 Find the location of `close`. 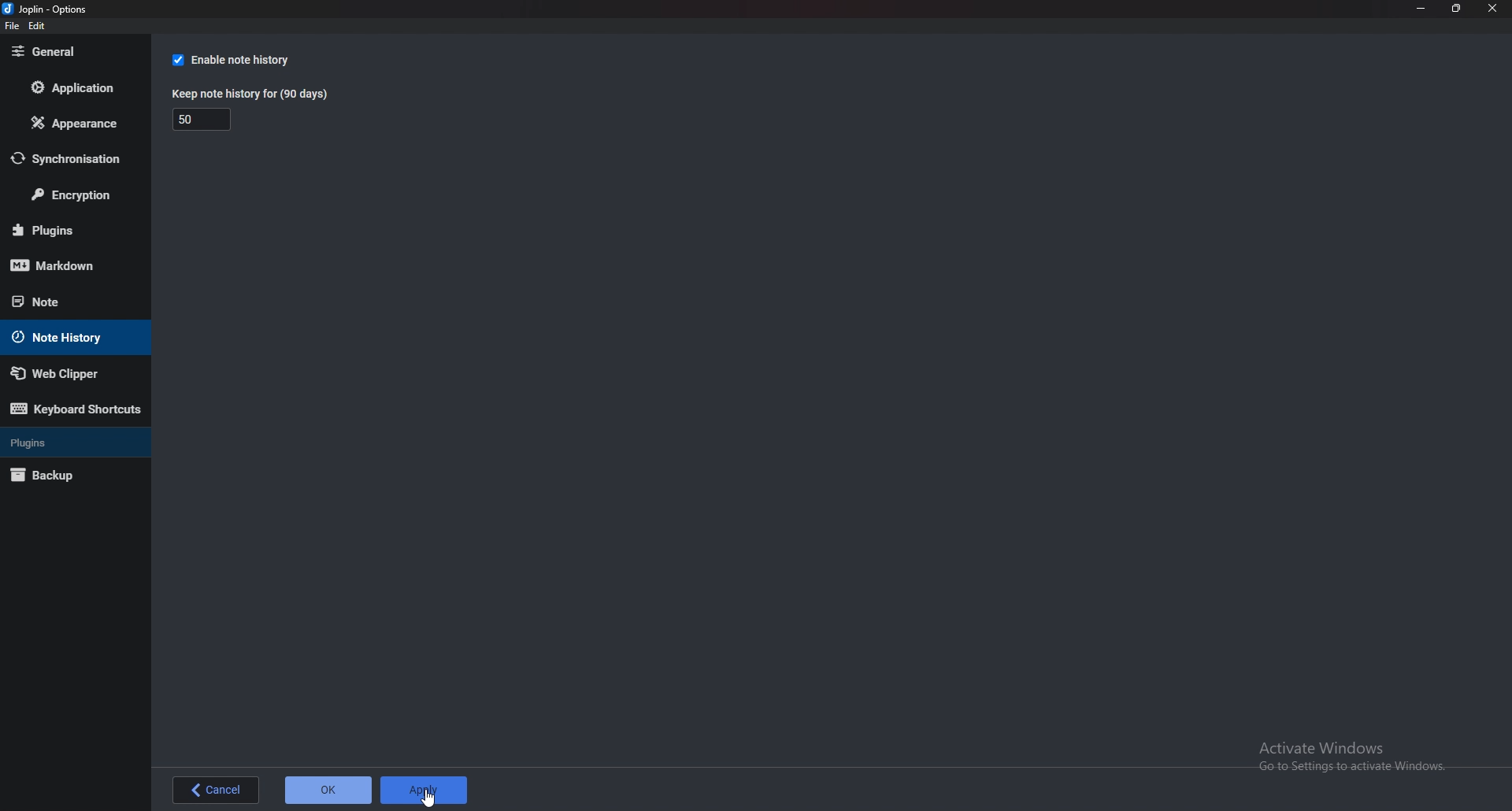

close is located at coordinates (1493, 8).